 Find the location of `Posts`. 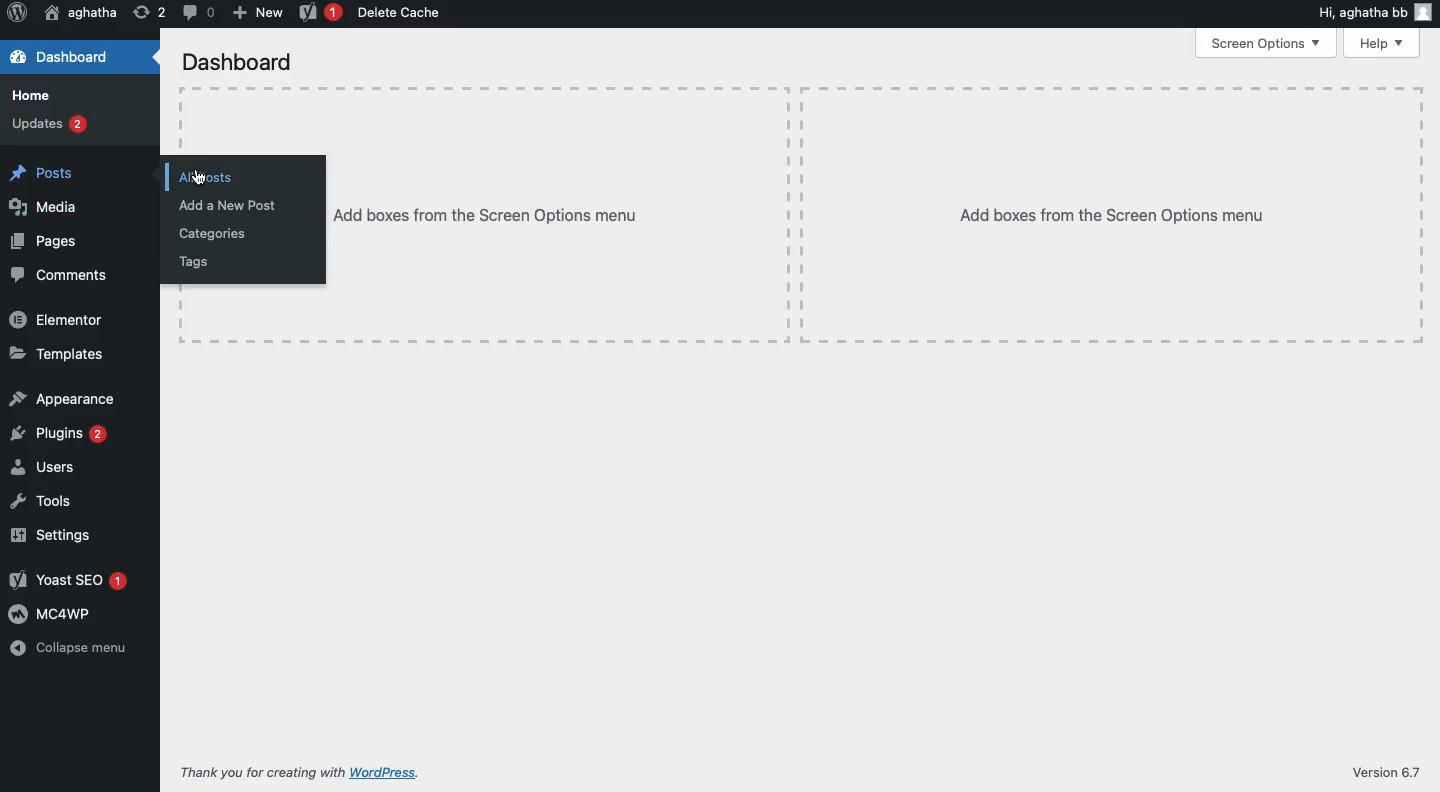

Posts is located at coordinates (43, 172).